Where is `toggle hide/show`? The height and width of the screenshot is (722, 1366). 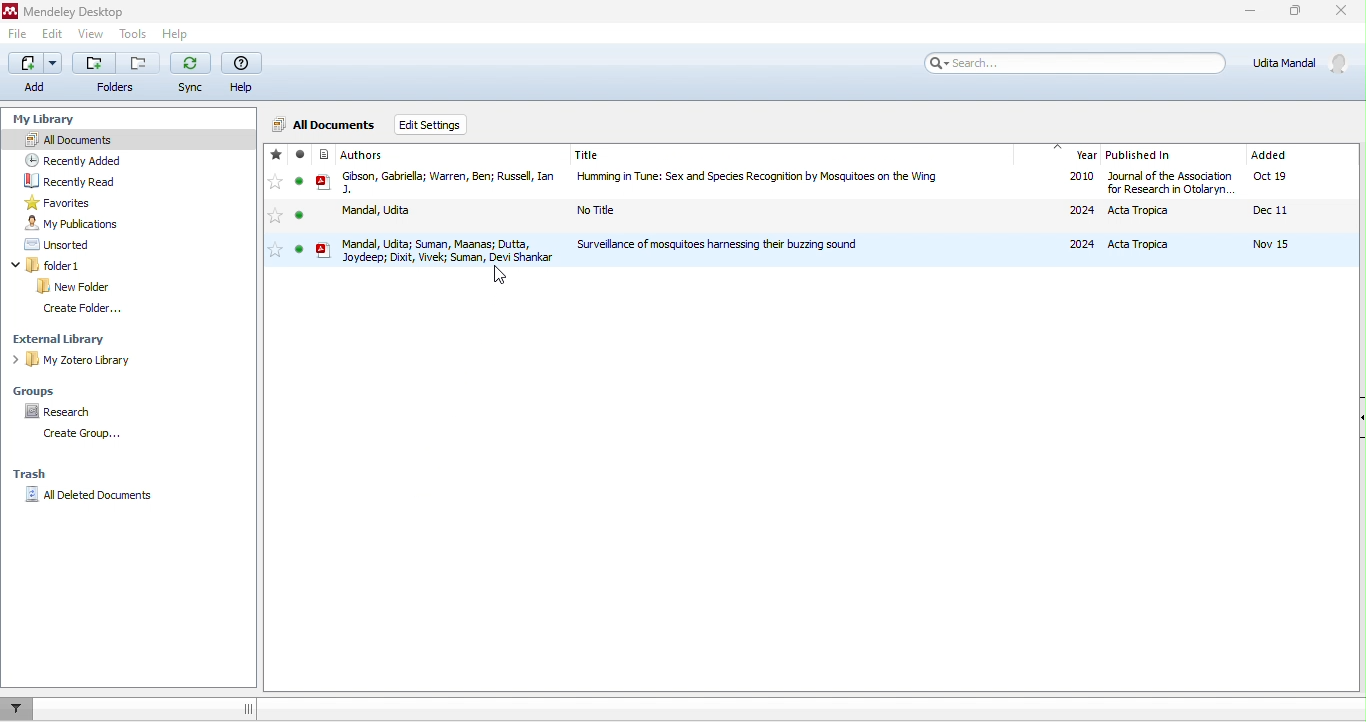 toggle hide/show is located at coordinates (248, 708).